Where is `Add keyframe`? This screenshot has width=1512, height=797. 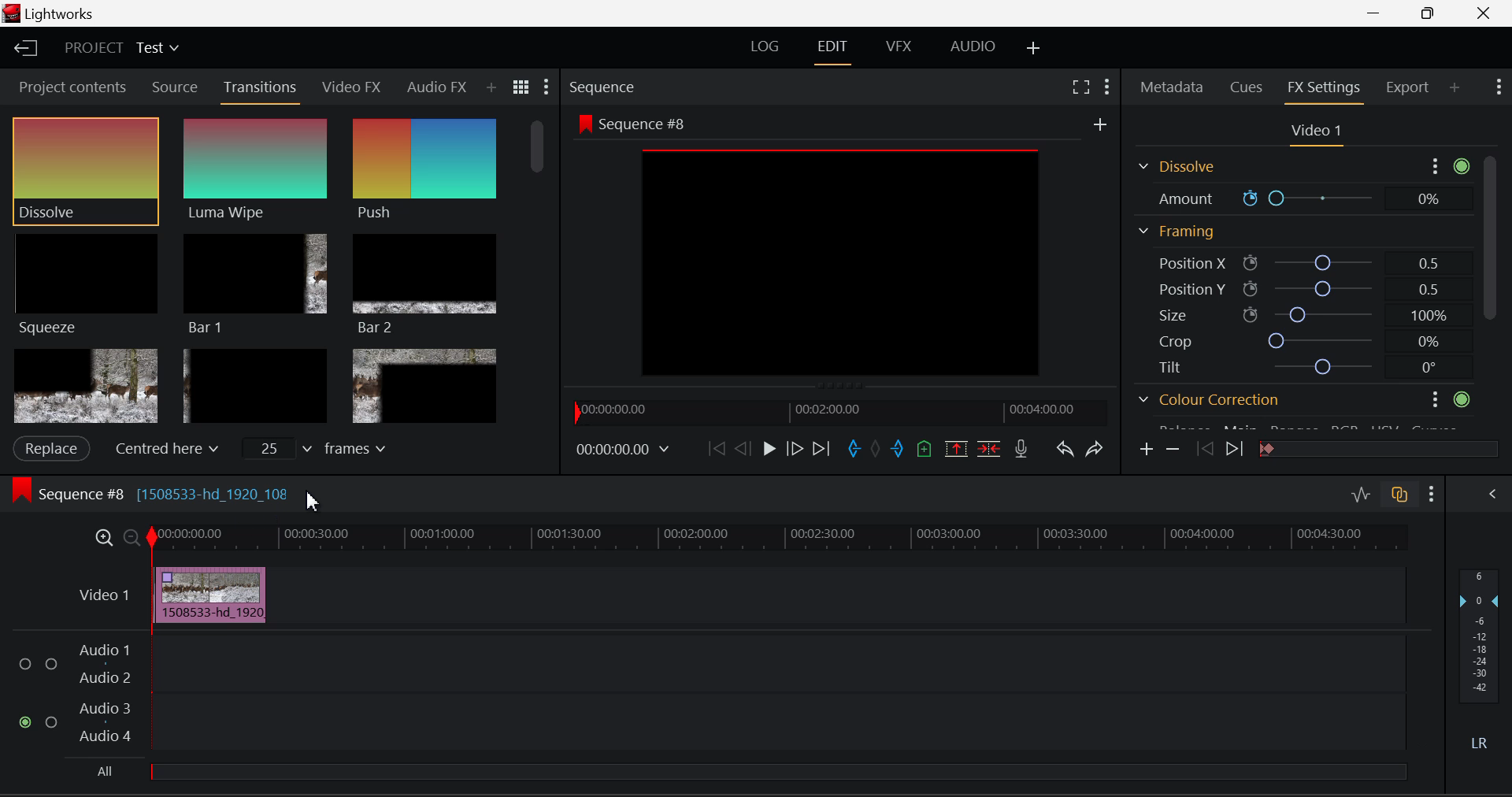
Add keyframe is located at coordinates (1147, 450).